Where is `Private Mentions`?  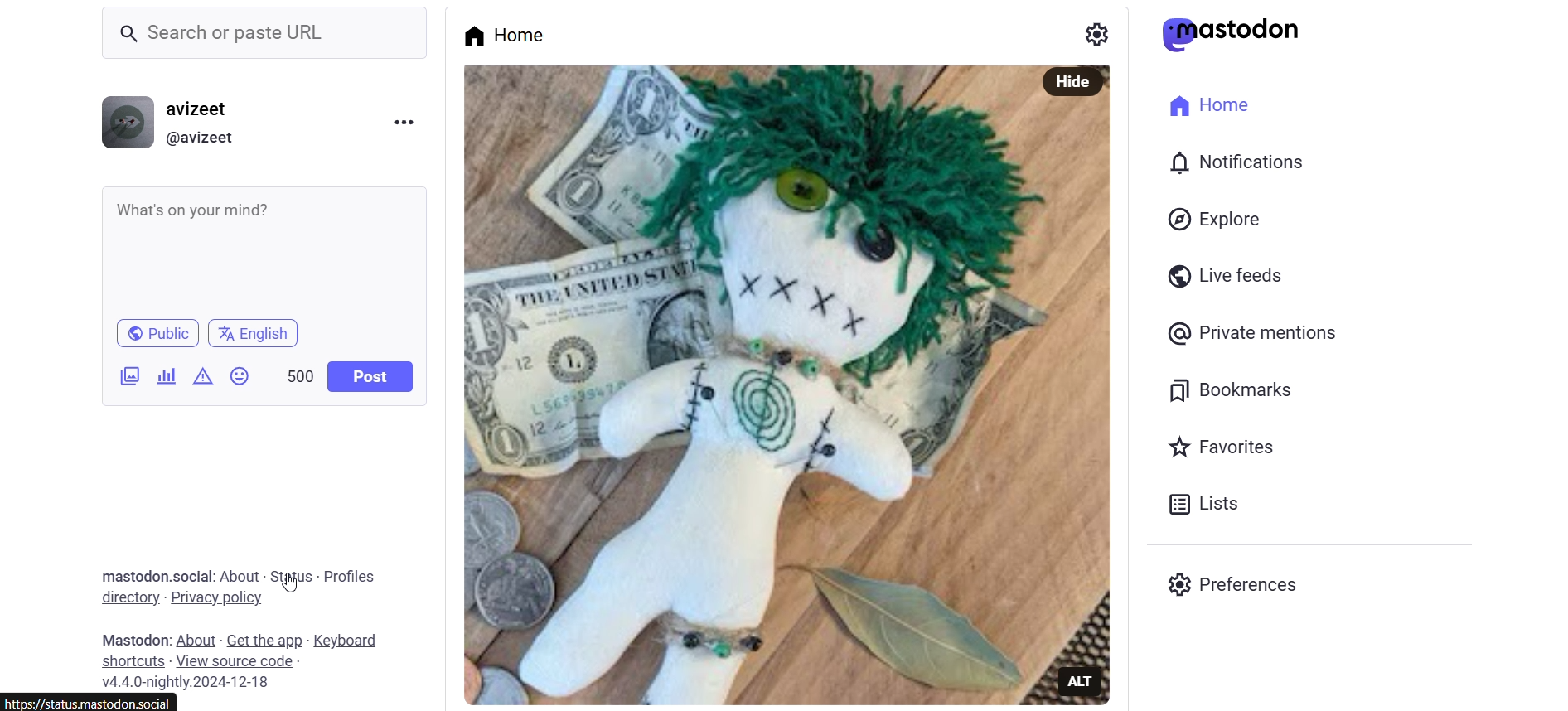 Private Mentions is located at coordinates (1261, 334).